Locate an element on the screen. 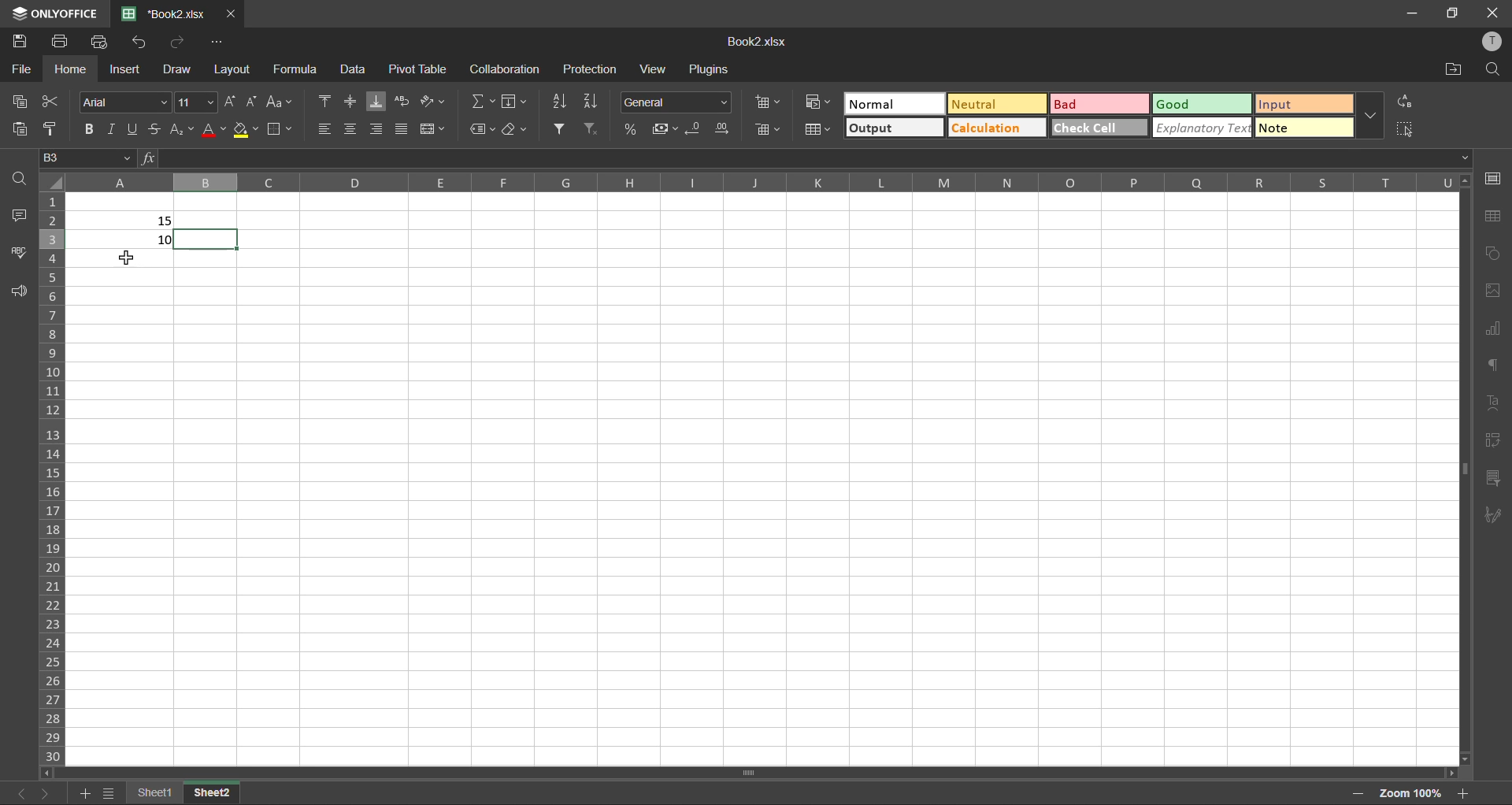  slicer is located at coordinates (1495, 480).